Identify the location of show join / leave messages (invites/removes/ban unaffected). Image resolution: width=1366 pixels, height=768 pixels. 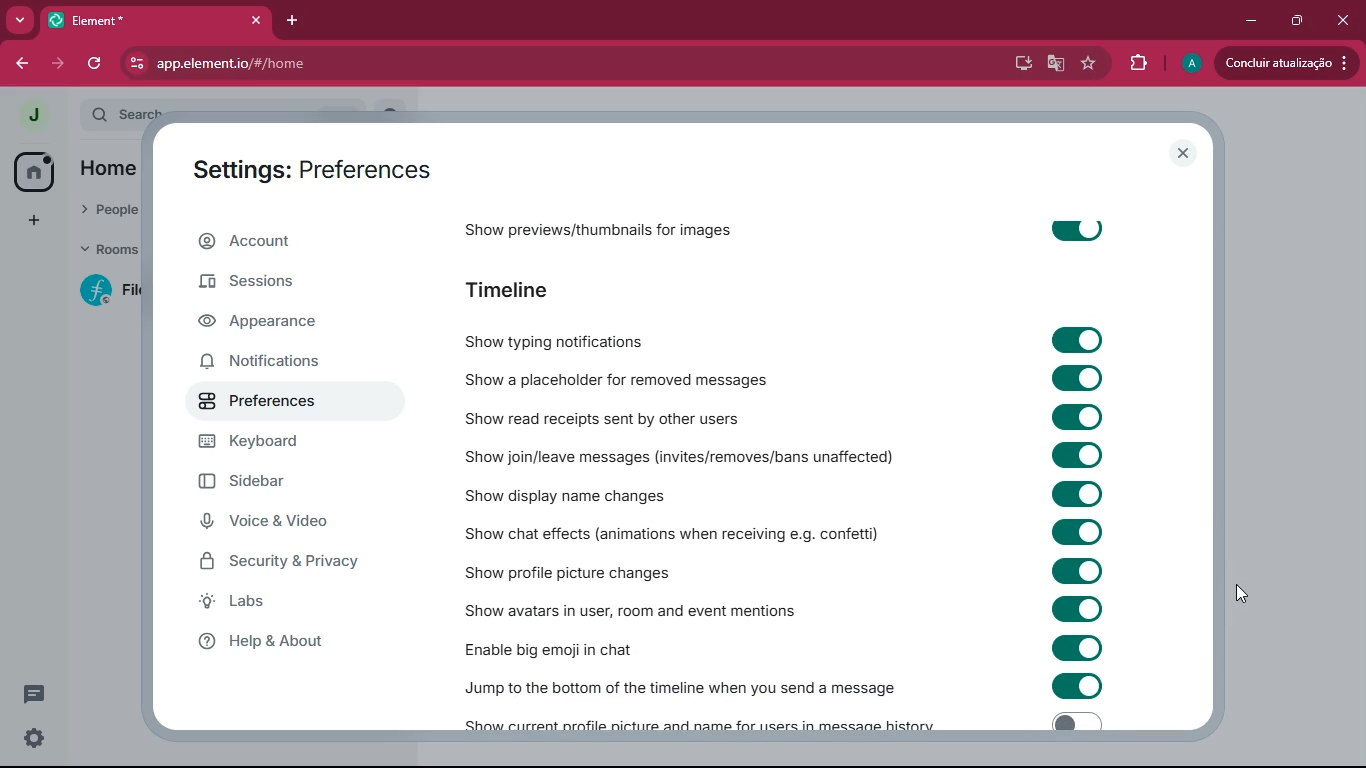
(680, 457).